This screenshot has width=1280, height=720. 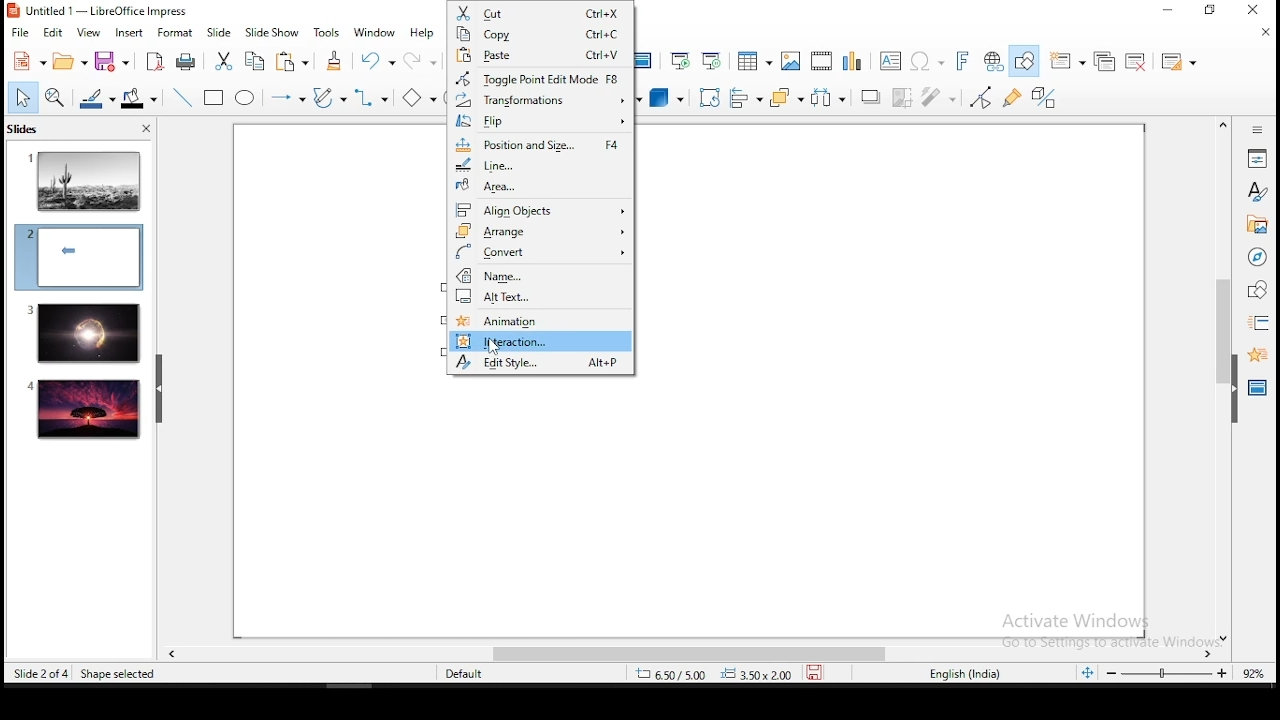 I want to click on lines and arrows, so click(x=287, y=98).